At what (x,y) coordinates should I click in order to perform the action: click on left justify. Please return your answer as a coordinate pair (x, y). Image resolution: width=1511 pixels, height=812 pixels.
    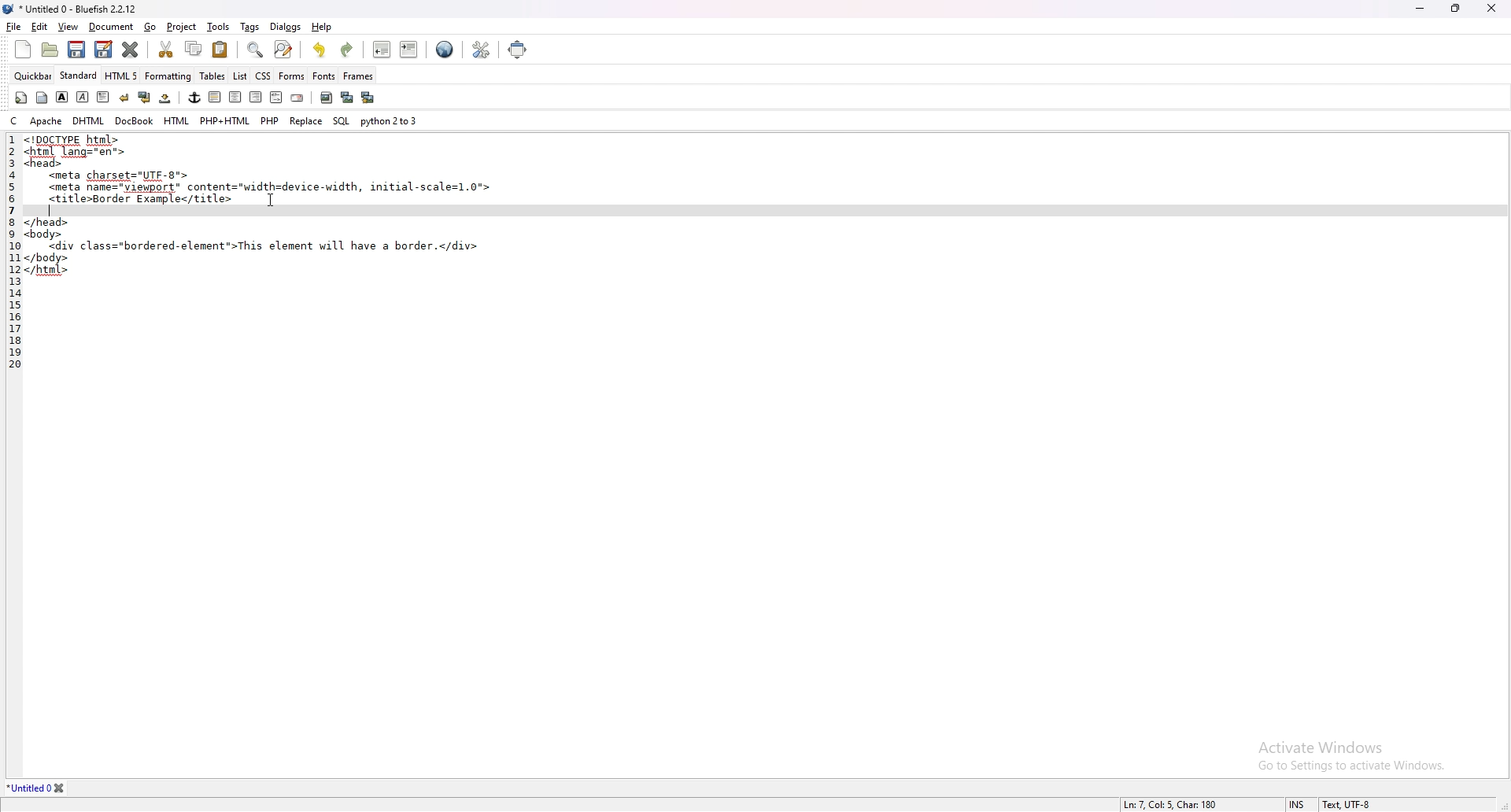
    Looking at the image, I should click on (216, 97).